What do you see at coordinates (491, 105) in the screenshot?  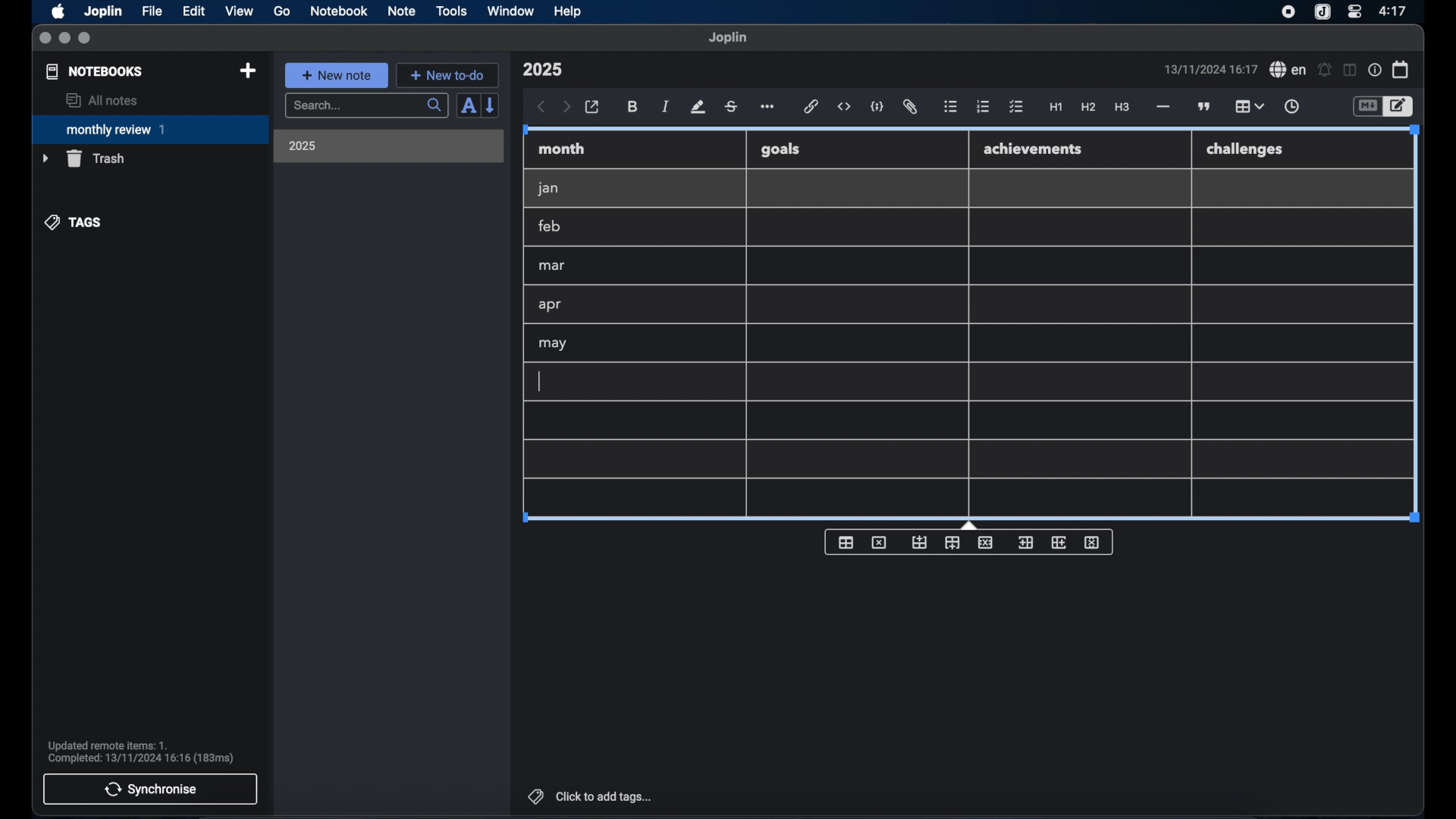 I see `reverse sort order` at bounding box center [491, 105].